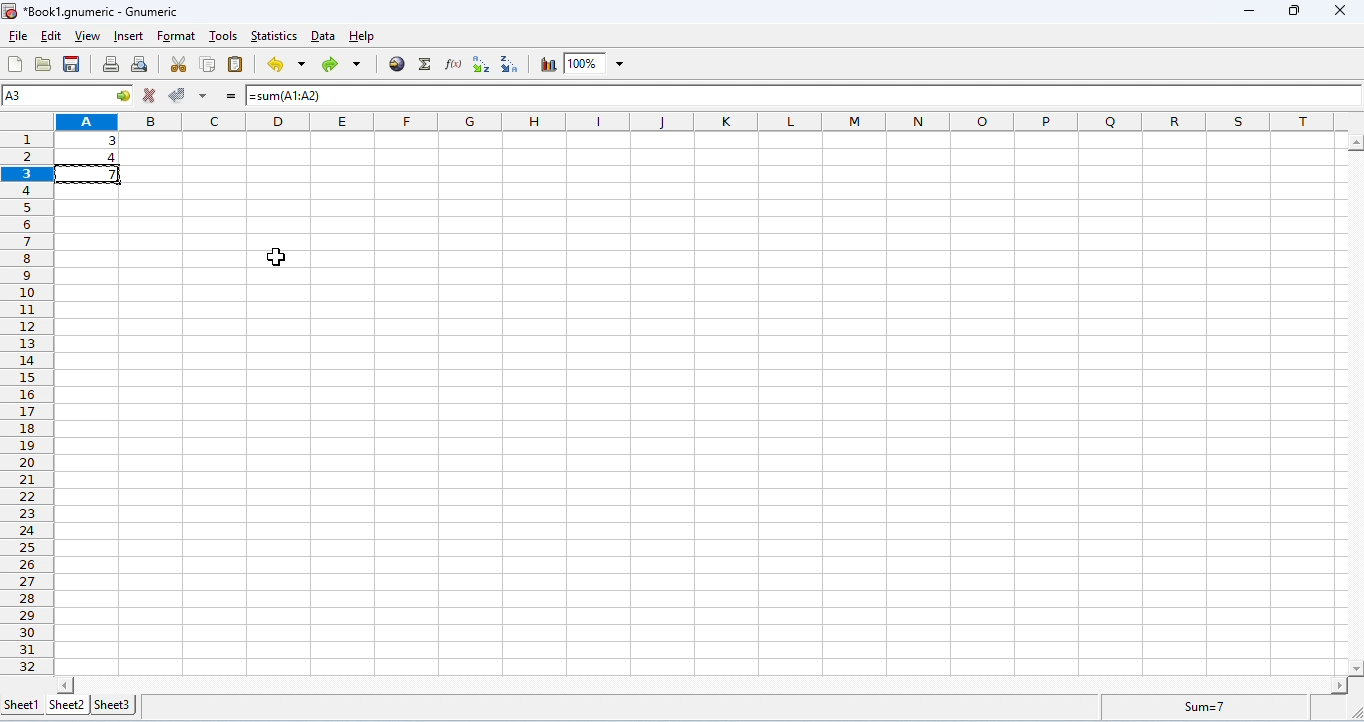  What do you see at coordinates (223, 37) in the screenshot?
I see `tools` at bounding box center [223, 37].